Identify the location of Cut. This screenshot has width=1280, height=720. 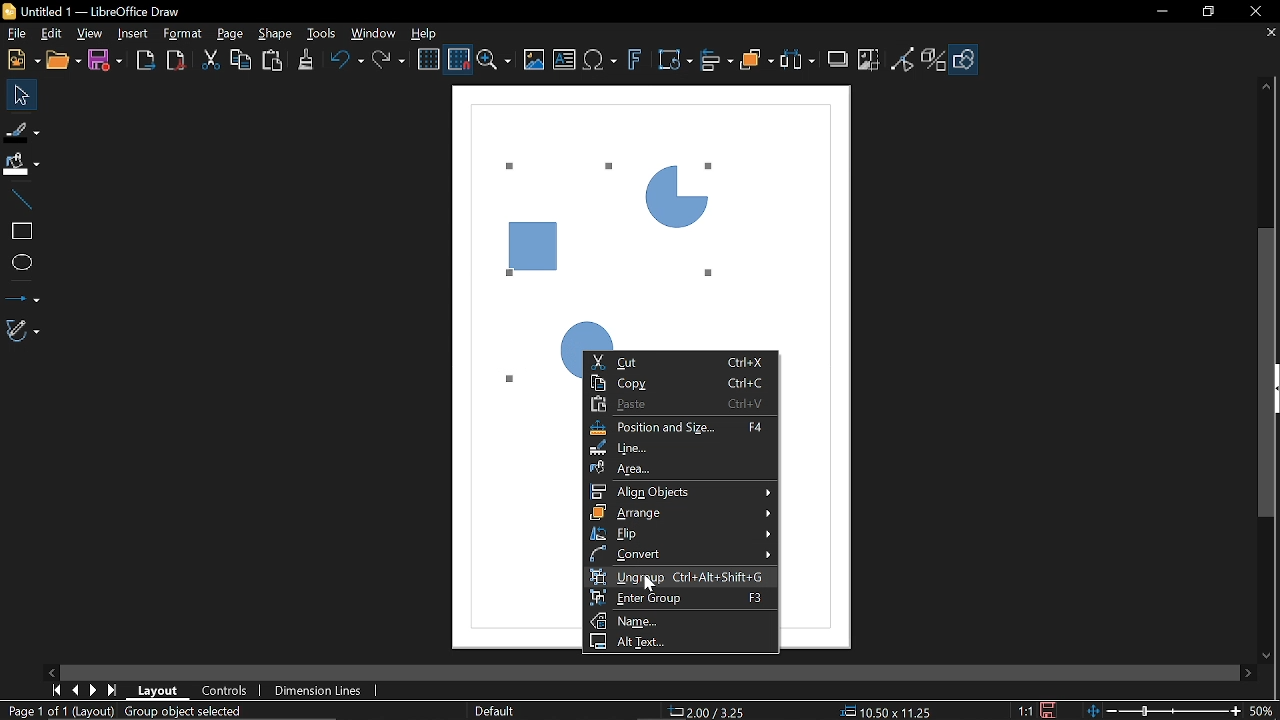
(681, 362).